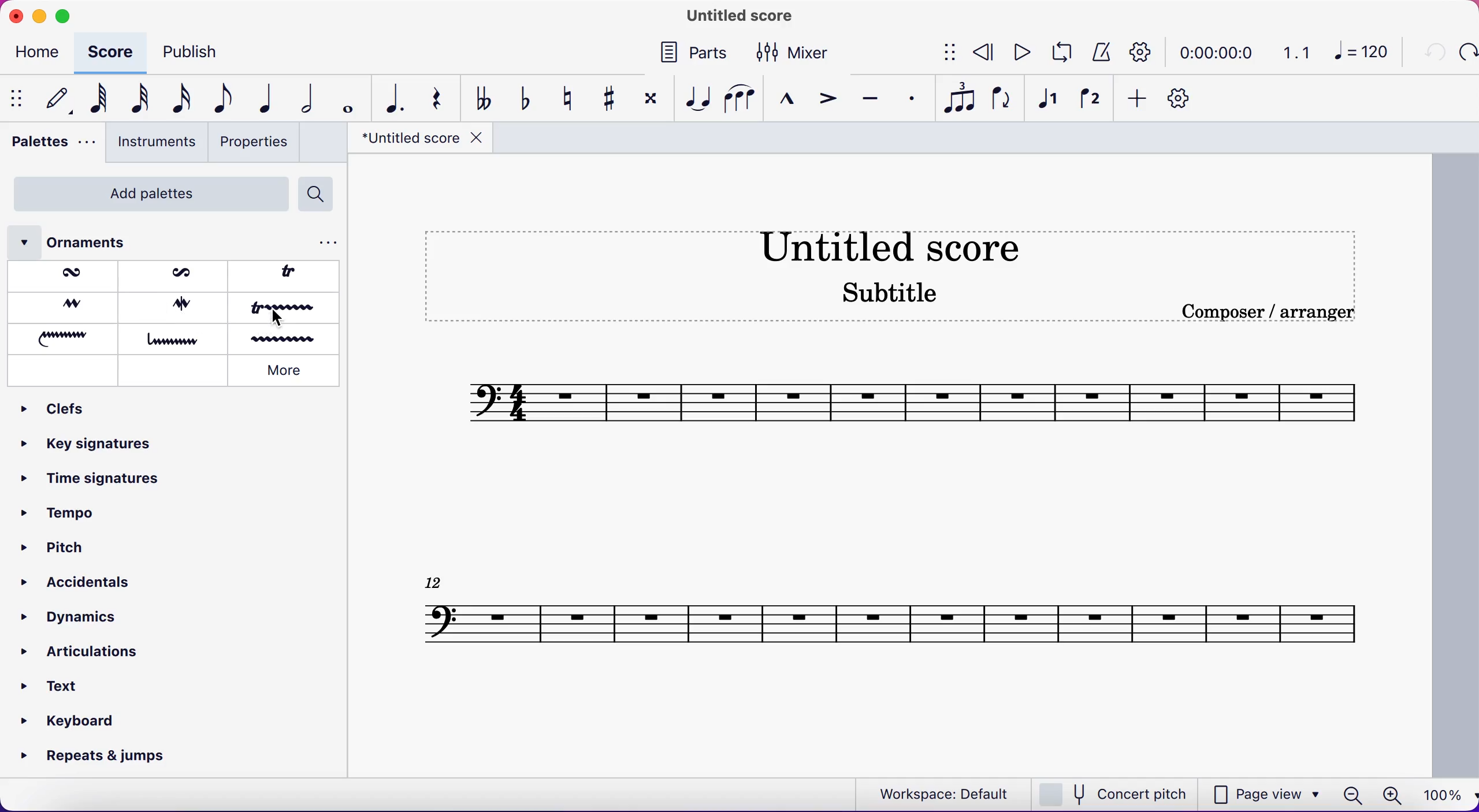  I want to click on toggle natural, so click(567, 97).